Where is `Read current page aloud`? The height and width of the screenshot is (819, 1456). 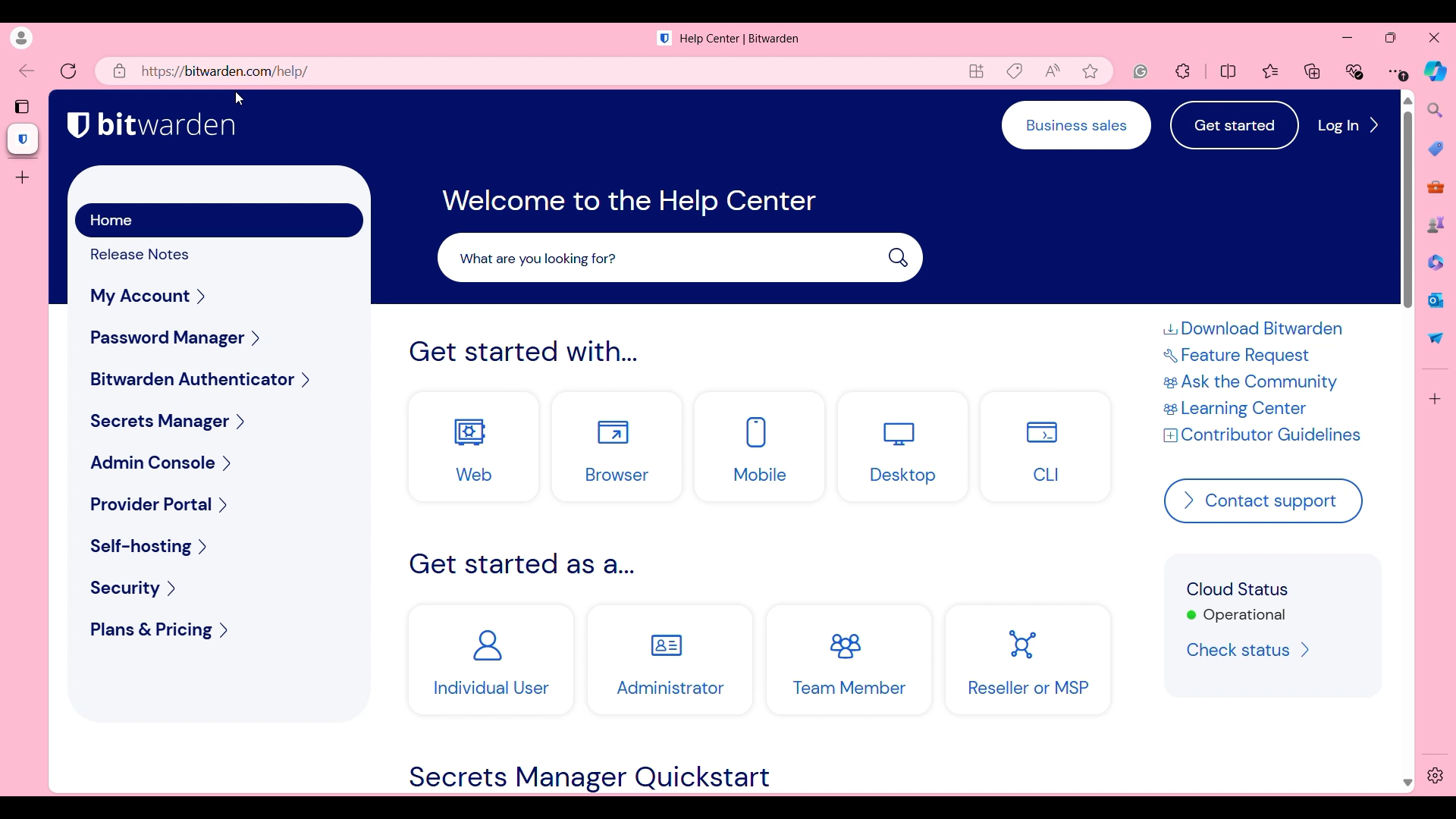 Read current page aloud is located at coordinates (1053, 71).